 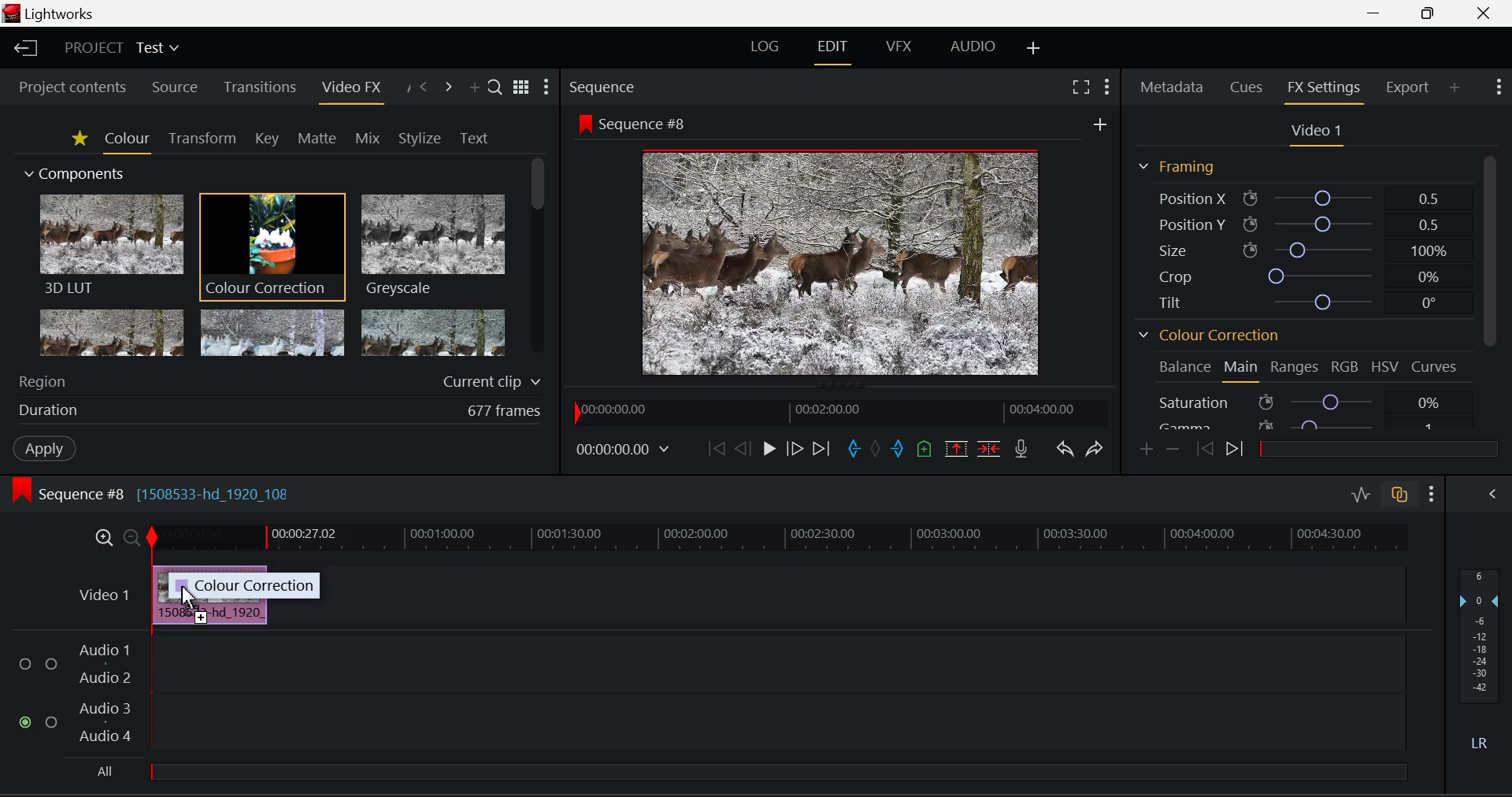 I want to click on All, so click(x=744, y=776).